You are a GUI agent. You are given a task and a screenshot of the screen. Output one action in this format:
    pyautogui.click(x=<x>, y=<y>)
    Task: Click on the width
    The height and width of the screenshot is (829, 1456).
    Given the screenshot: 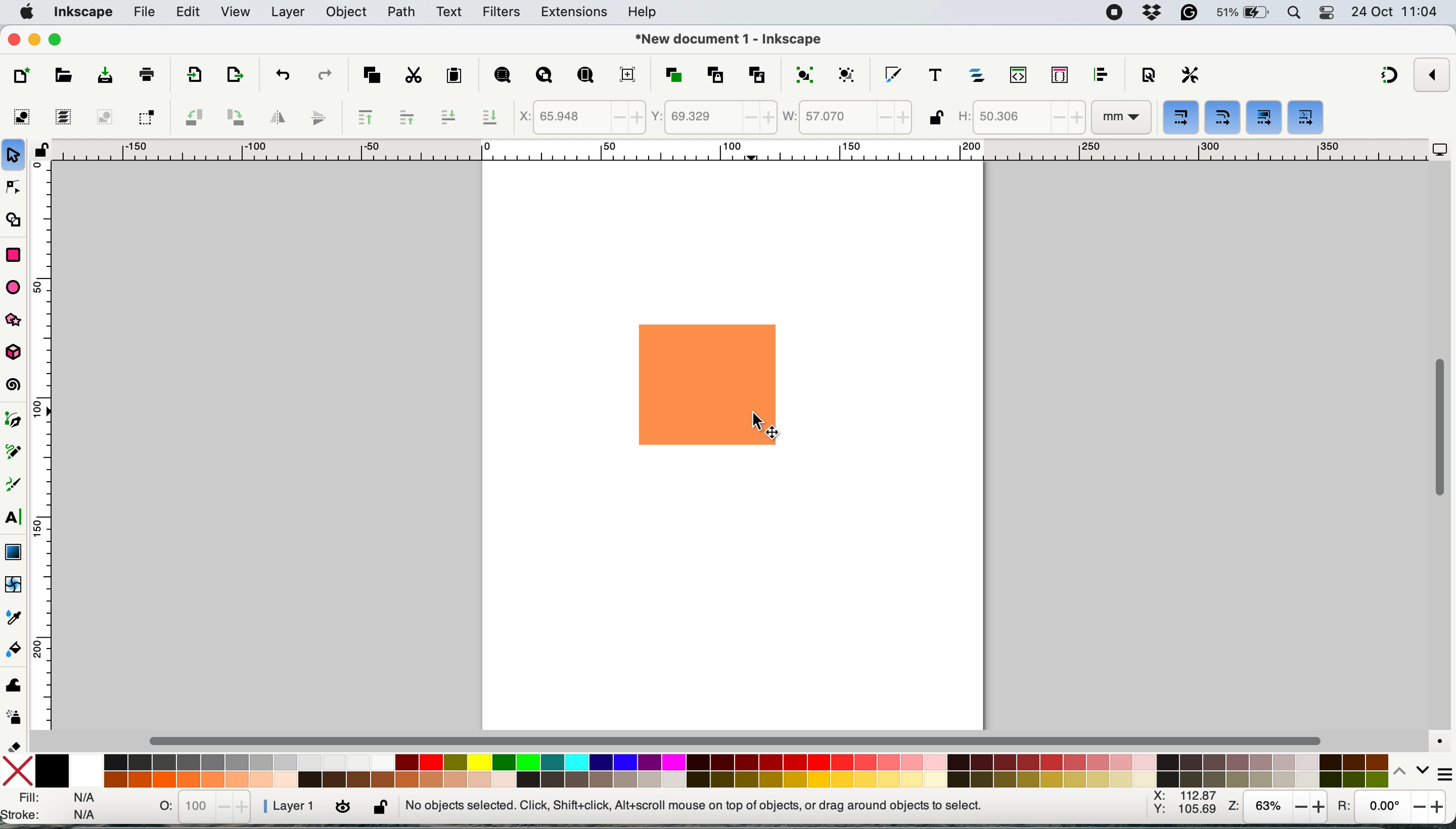 What is the action you would take?
    pyautogui.click(x=846, y=118)
    